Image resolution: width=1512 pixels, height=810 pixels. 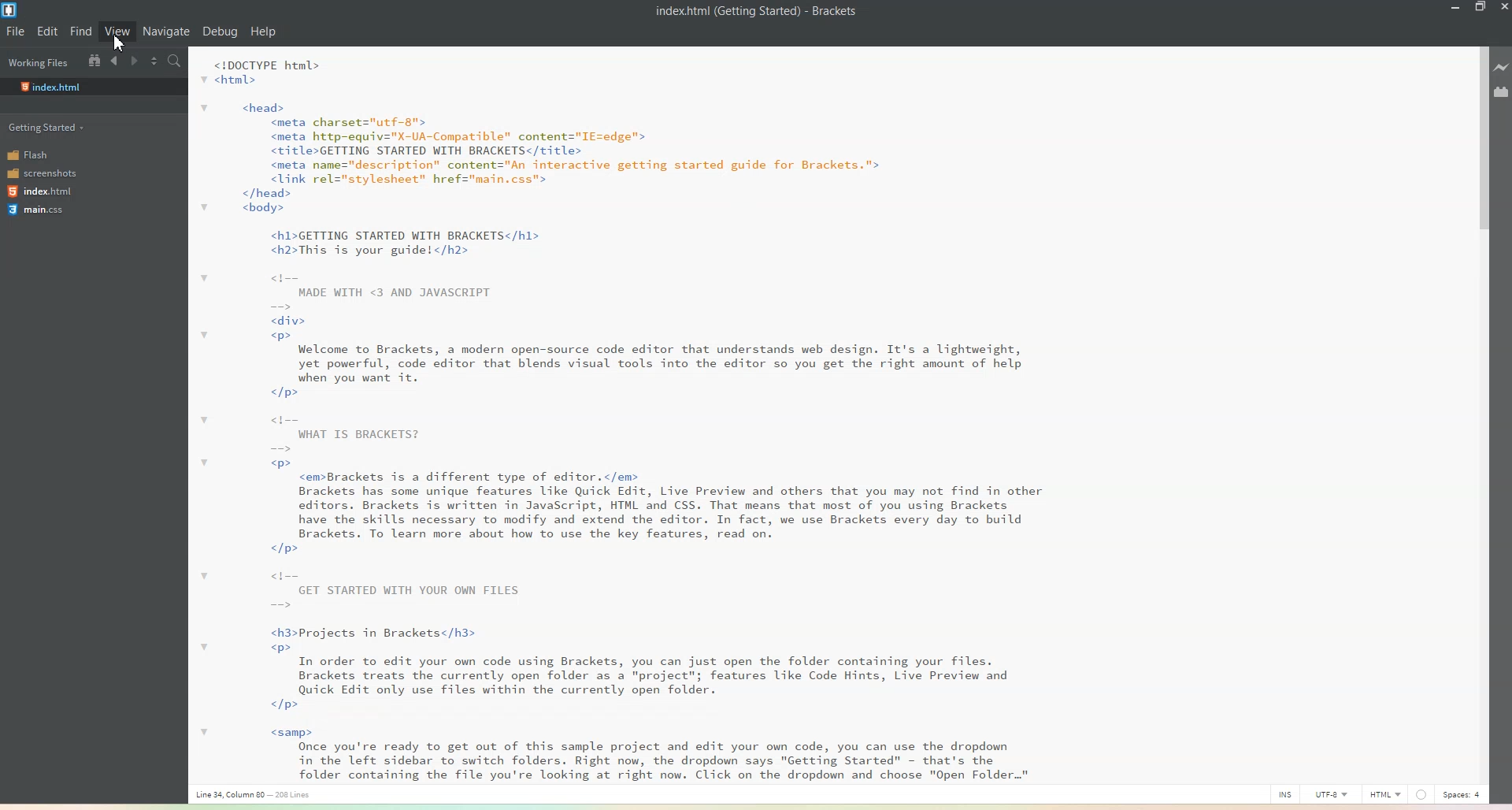 What do you see at coordinates (42, 173) in the screenshot?
I see `screenshots` at bounding box center [42, 173].